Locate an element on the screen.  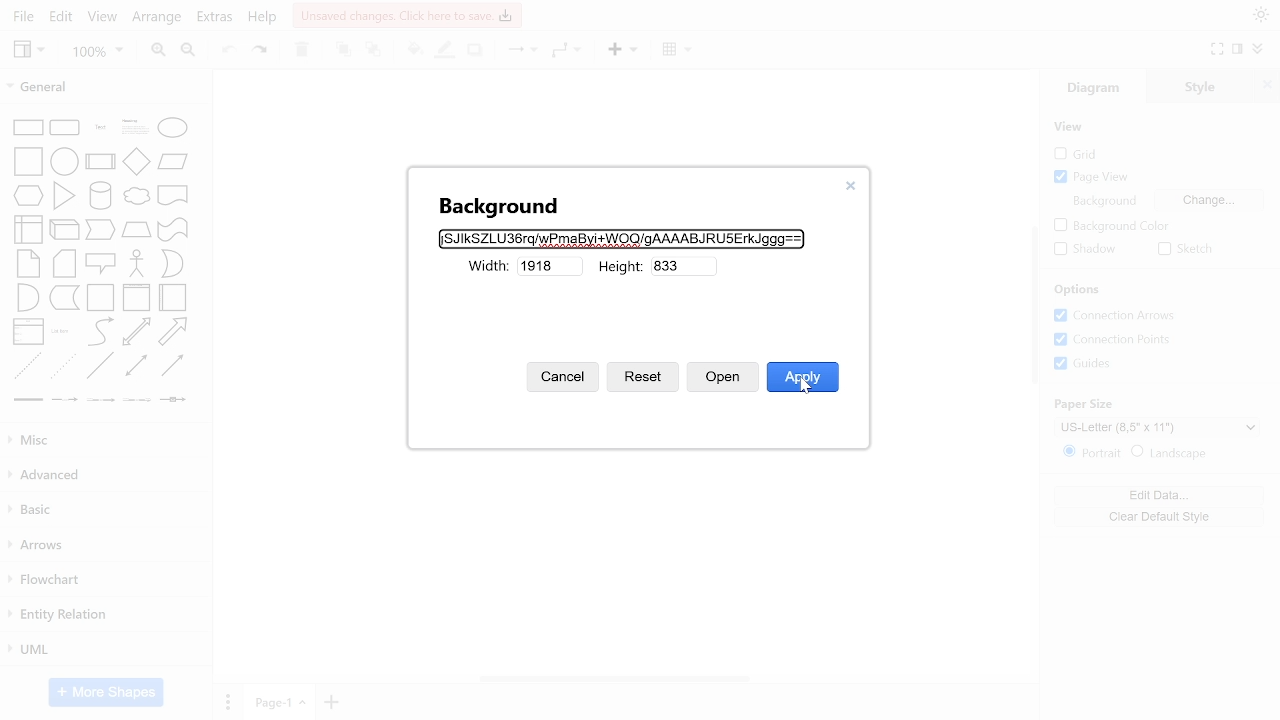
general shapes is located at coordinates (98, 159).